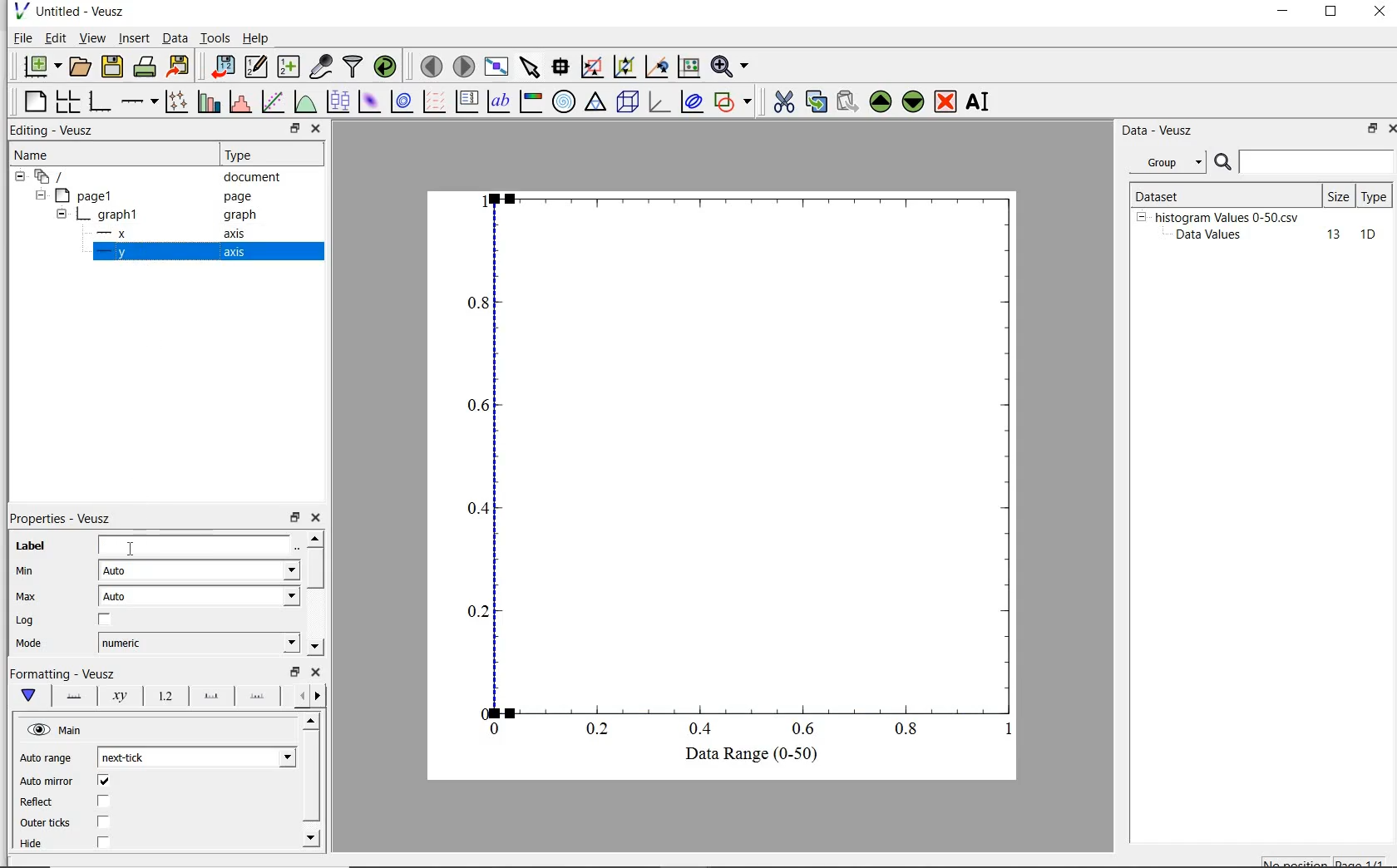 The height and width of the screenshot is (868, 1397). I want to click on restore down, so click(1367, 130).